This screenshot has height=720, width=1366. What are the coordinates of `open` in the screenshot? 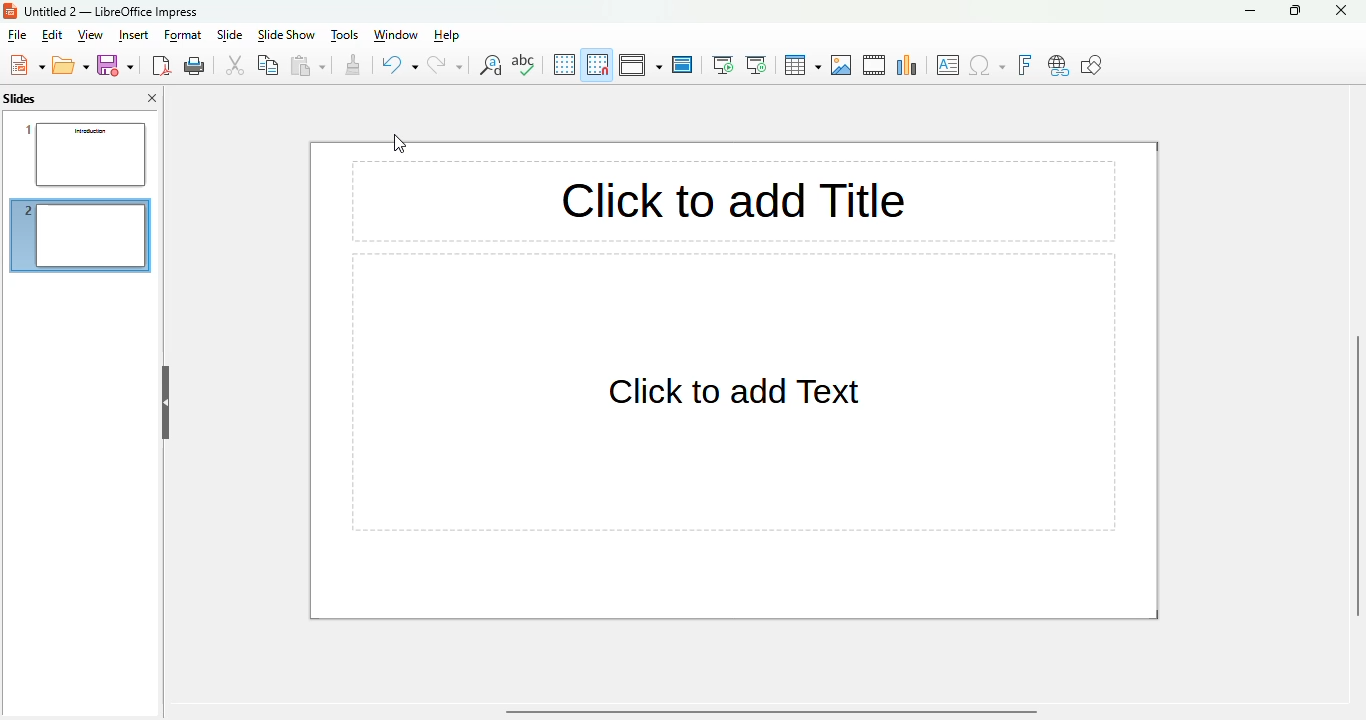 It's located at (71, 65).